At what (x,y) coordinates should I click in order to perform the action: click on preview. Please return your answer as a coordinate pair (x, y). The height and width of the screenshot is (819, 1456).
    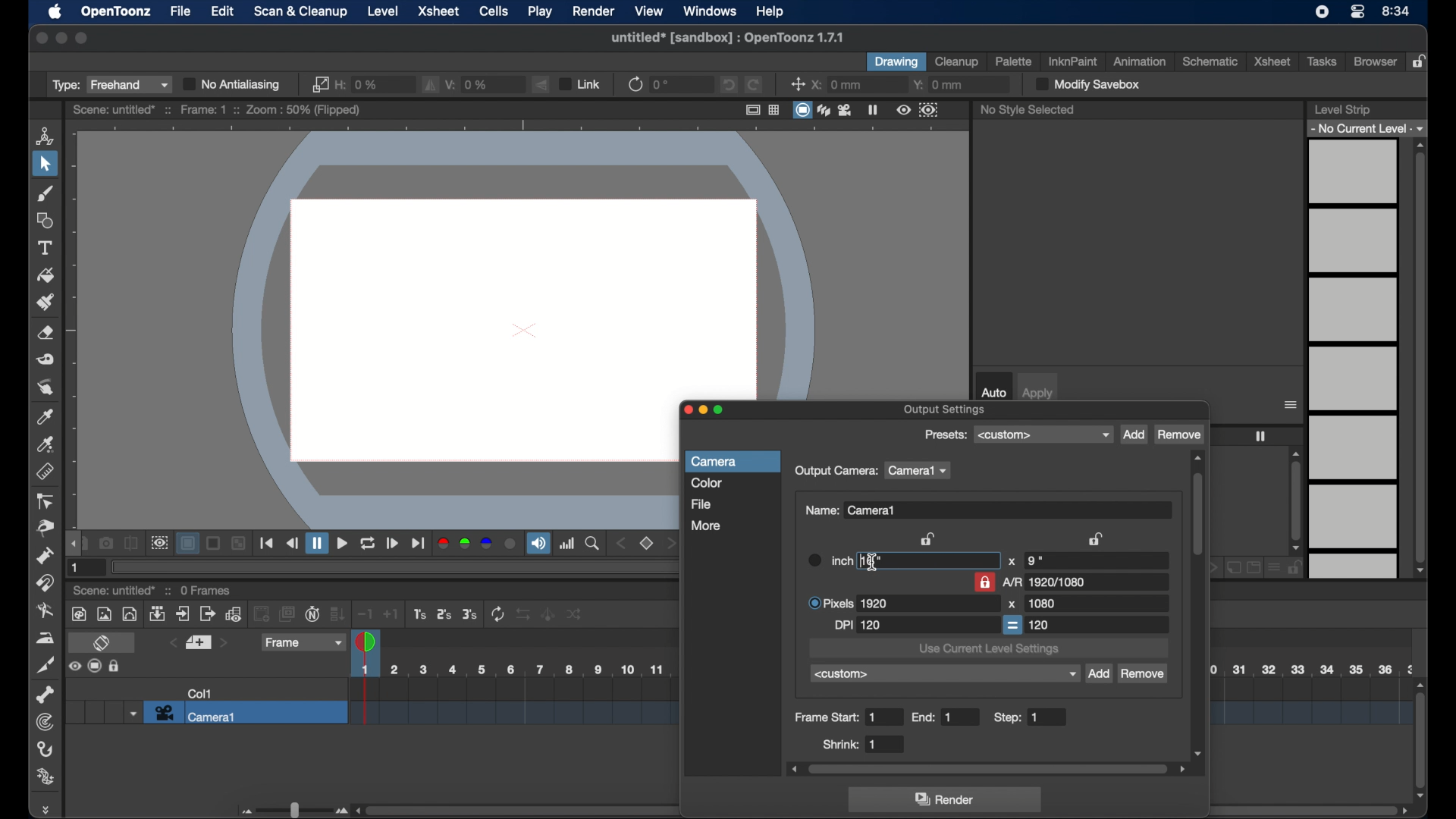
    Looking at the image, I should click on (159, 543).